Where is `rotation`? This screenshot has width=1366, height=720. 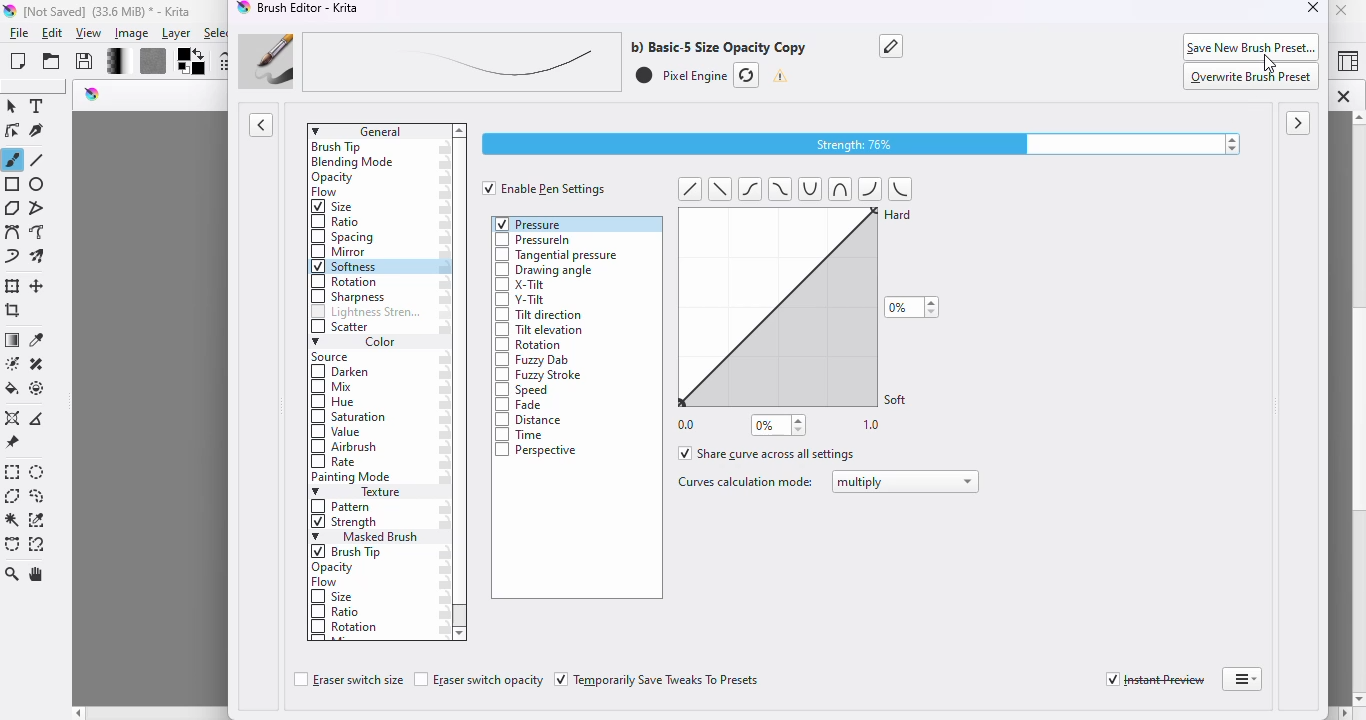
rotation is located at coordinates (528, 346).